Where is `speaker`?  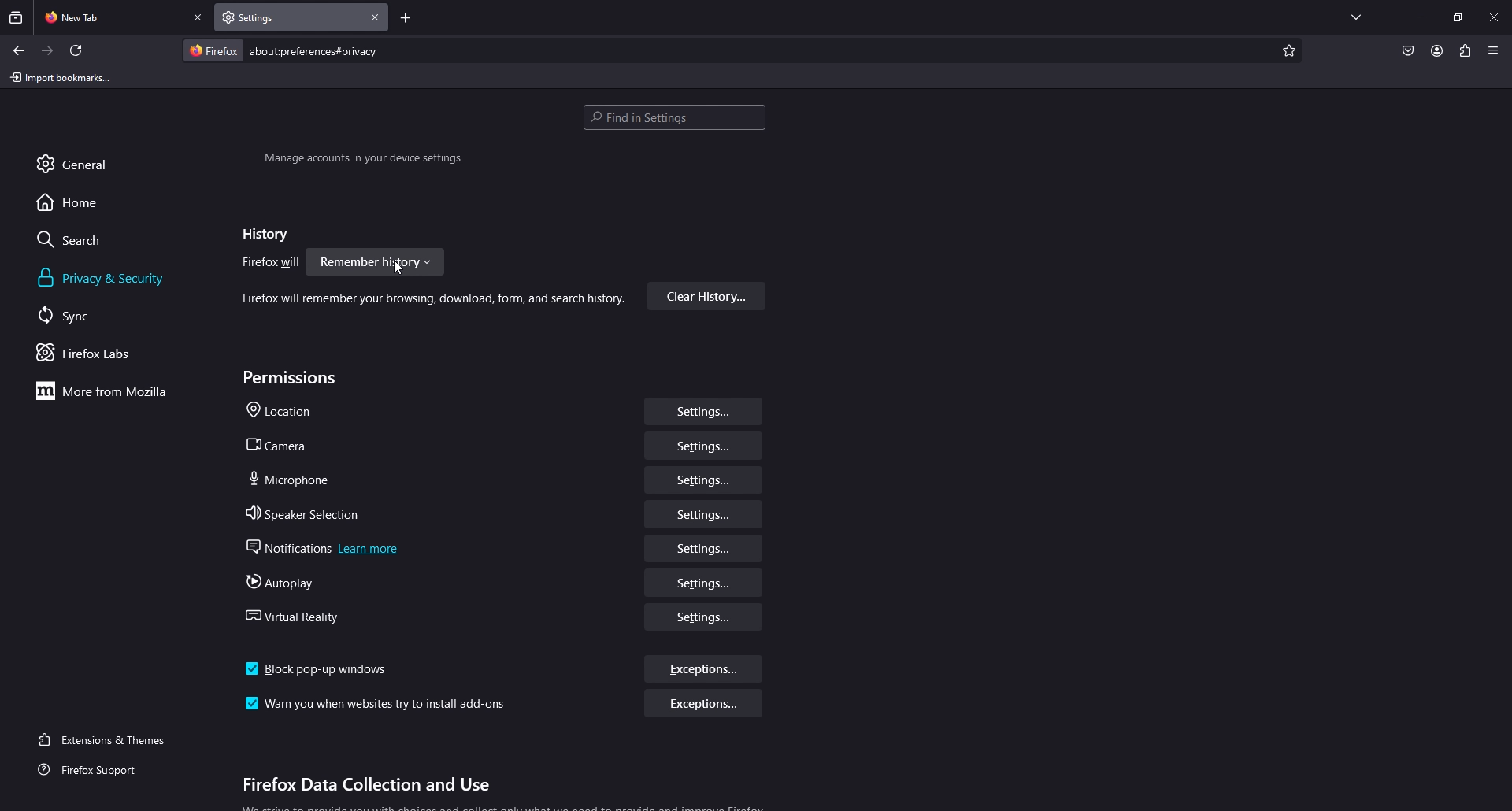 speaker is located at coordinates (307, 514).